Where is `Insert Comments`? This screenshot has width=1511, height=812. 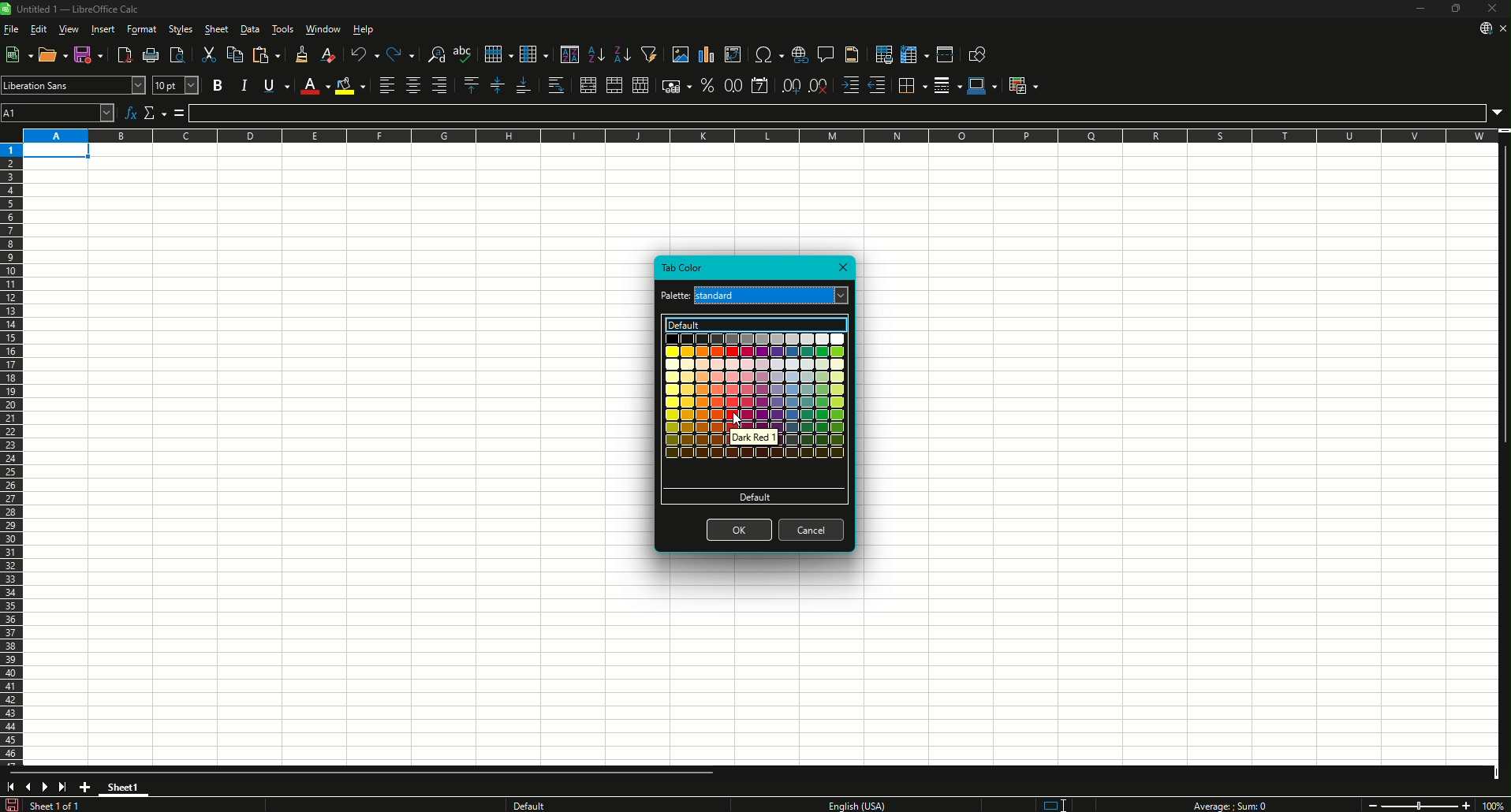
Insert Comments is located at coordinates (826, 54).